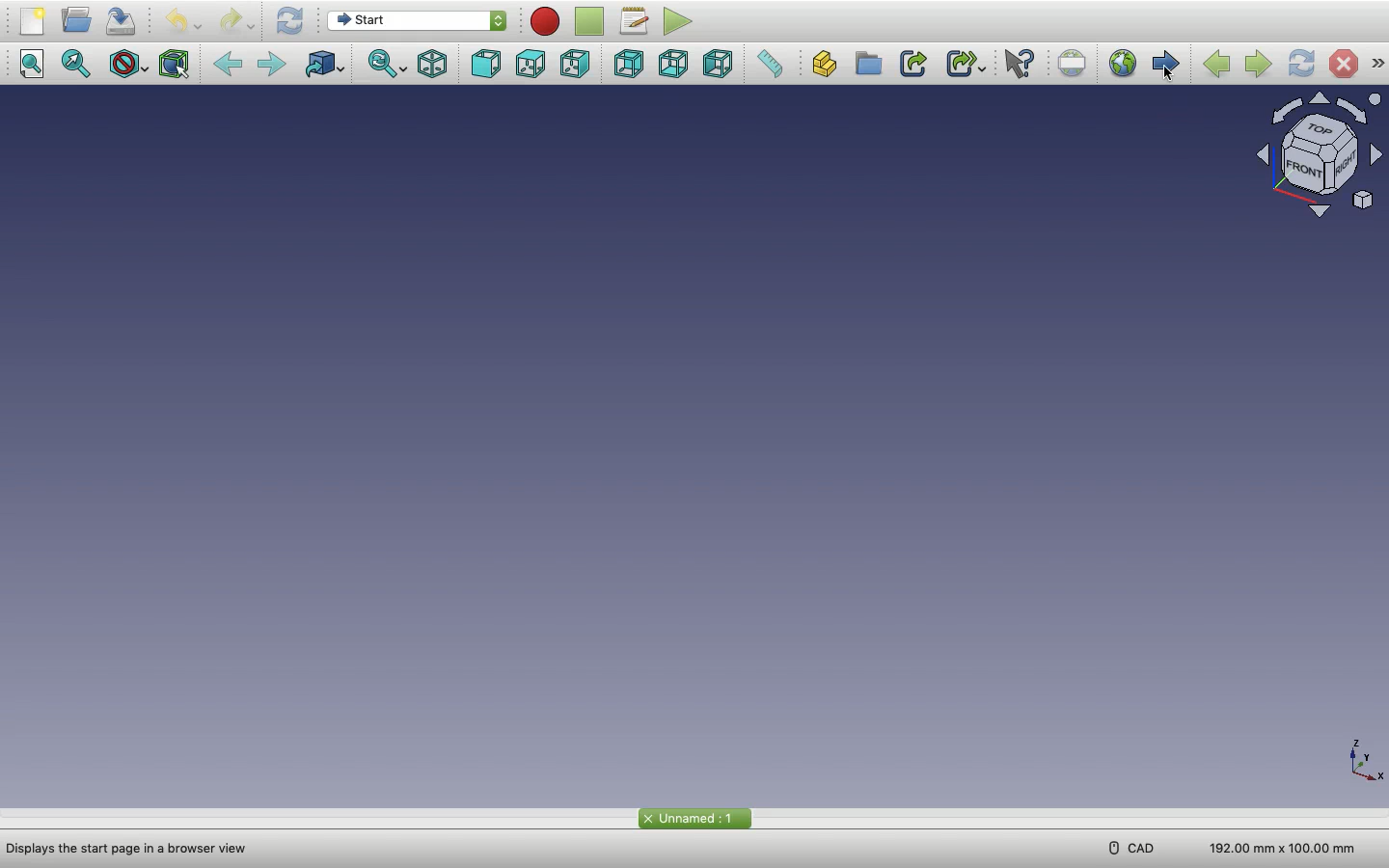 Image resolution: width=1389 pixels, height=868 pixels. I want to click on Fit selection, so click(80, 65).